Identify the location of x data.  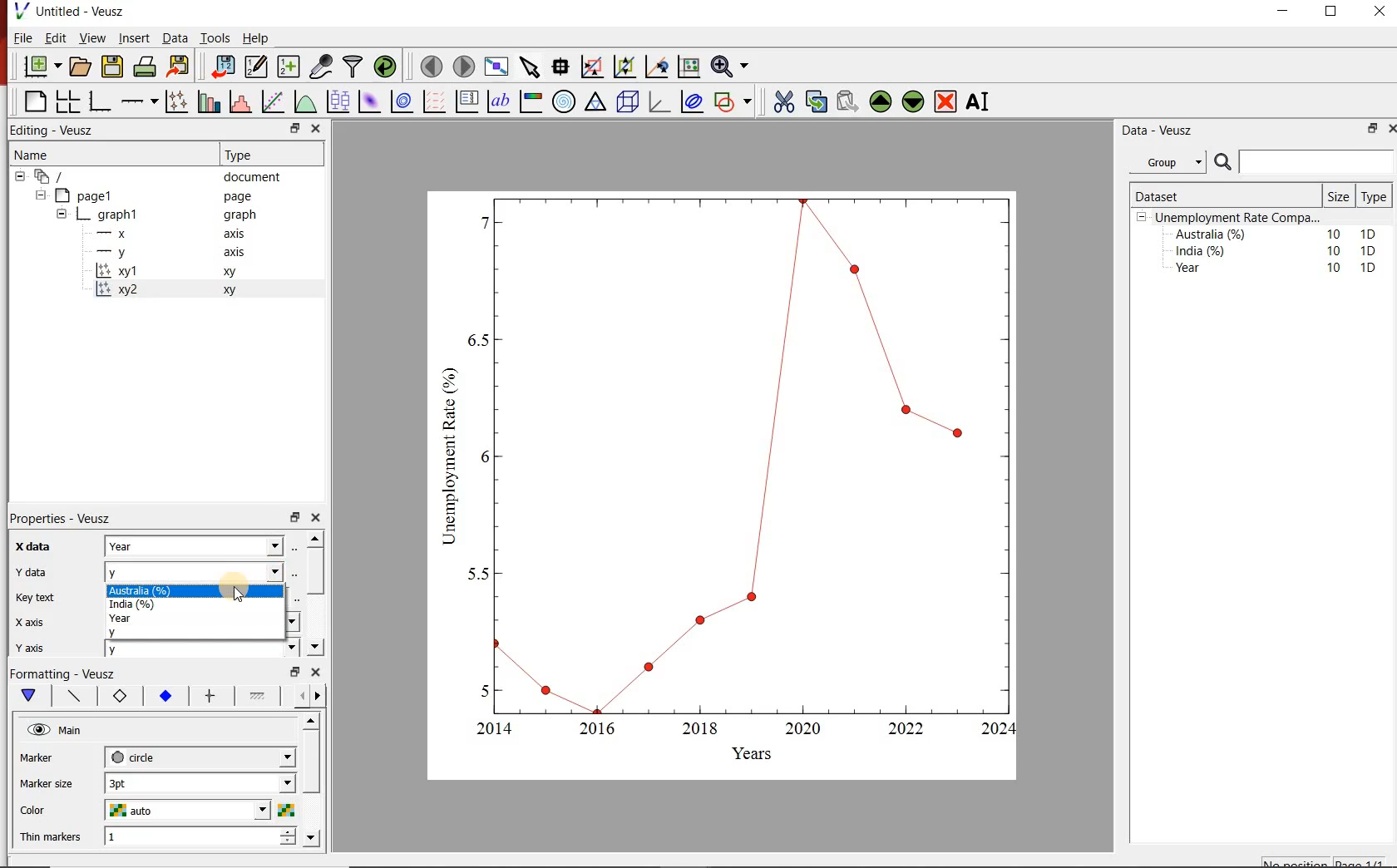
(29, 547).